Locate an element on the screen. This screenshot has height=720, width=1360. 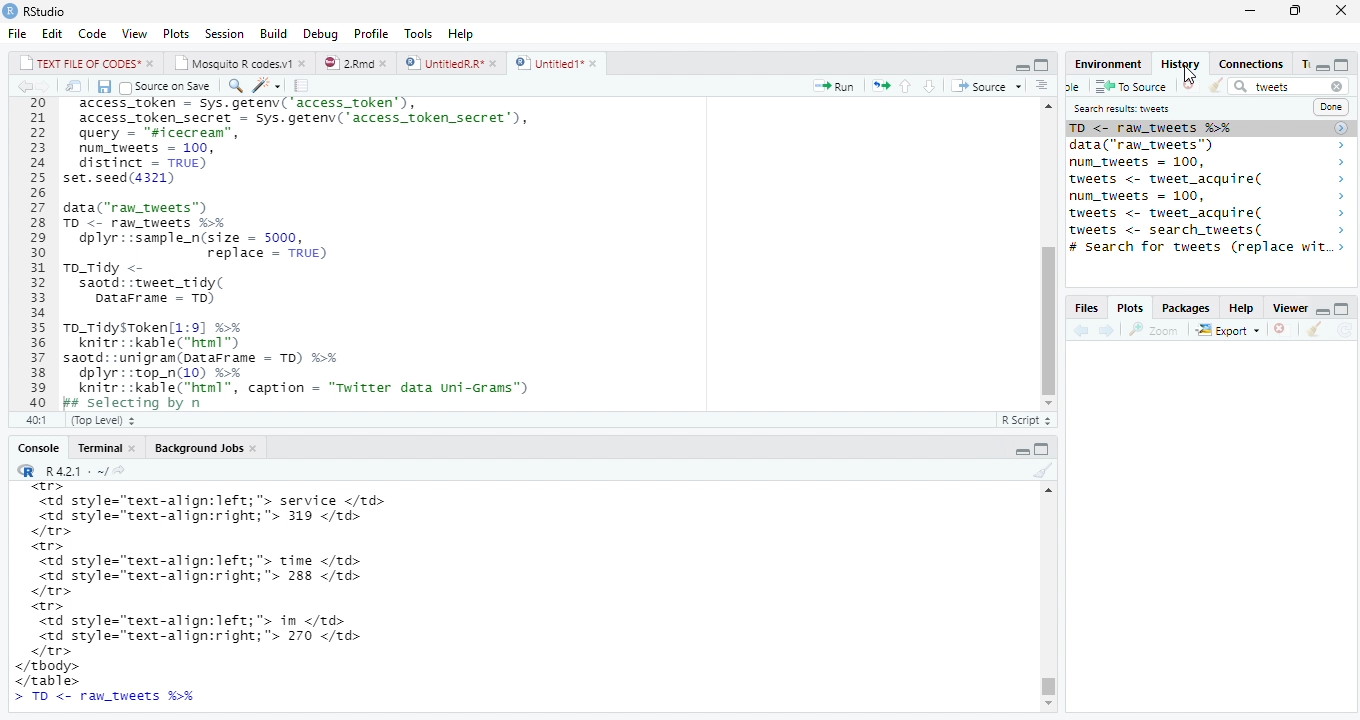
+ Source is located at coordinates (992, 86).